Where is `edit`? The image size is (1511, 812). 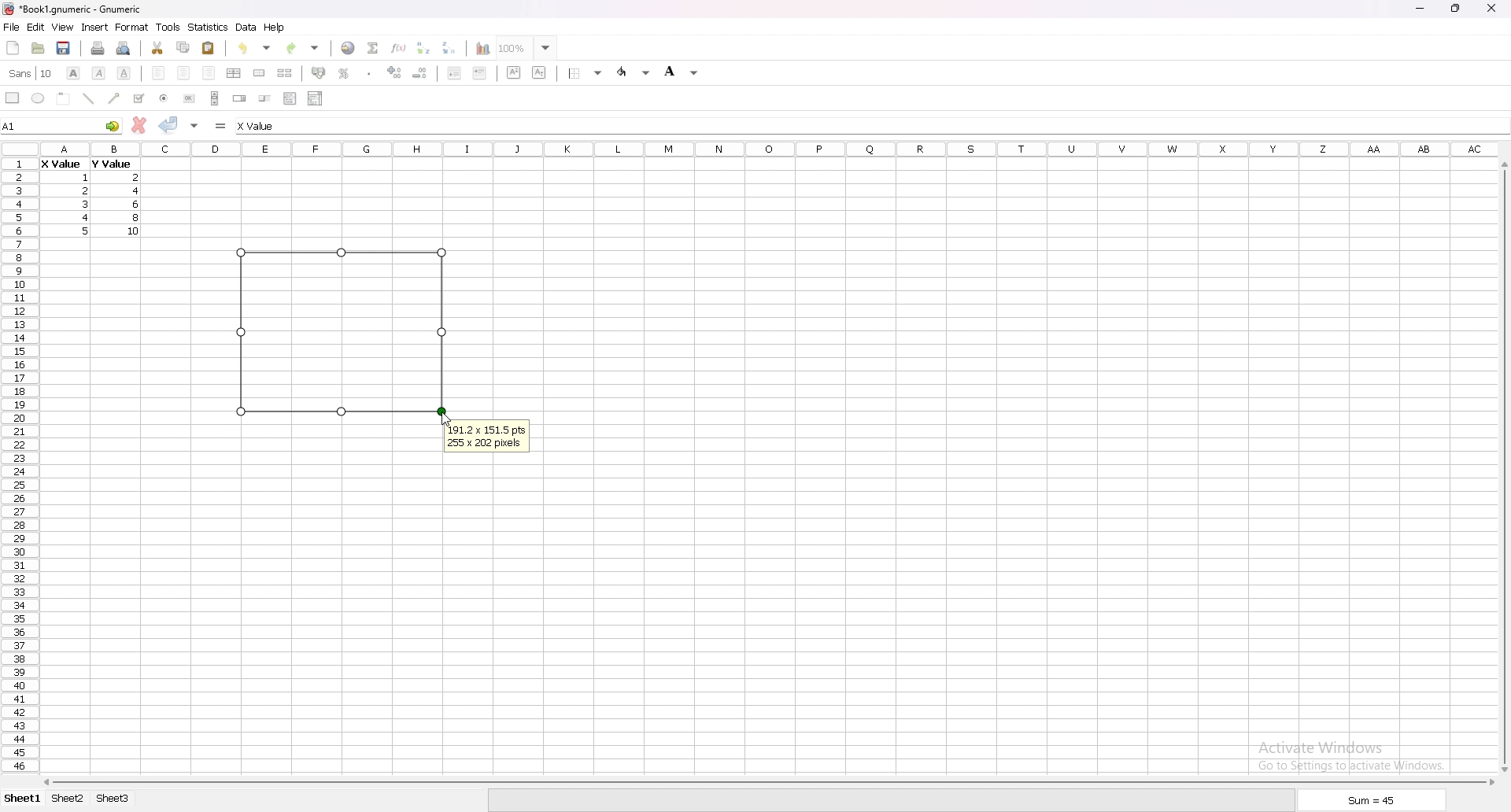 edit is located at coordinates (35, 27).